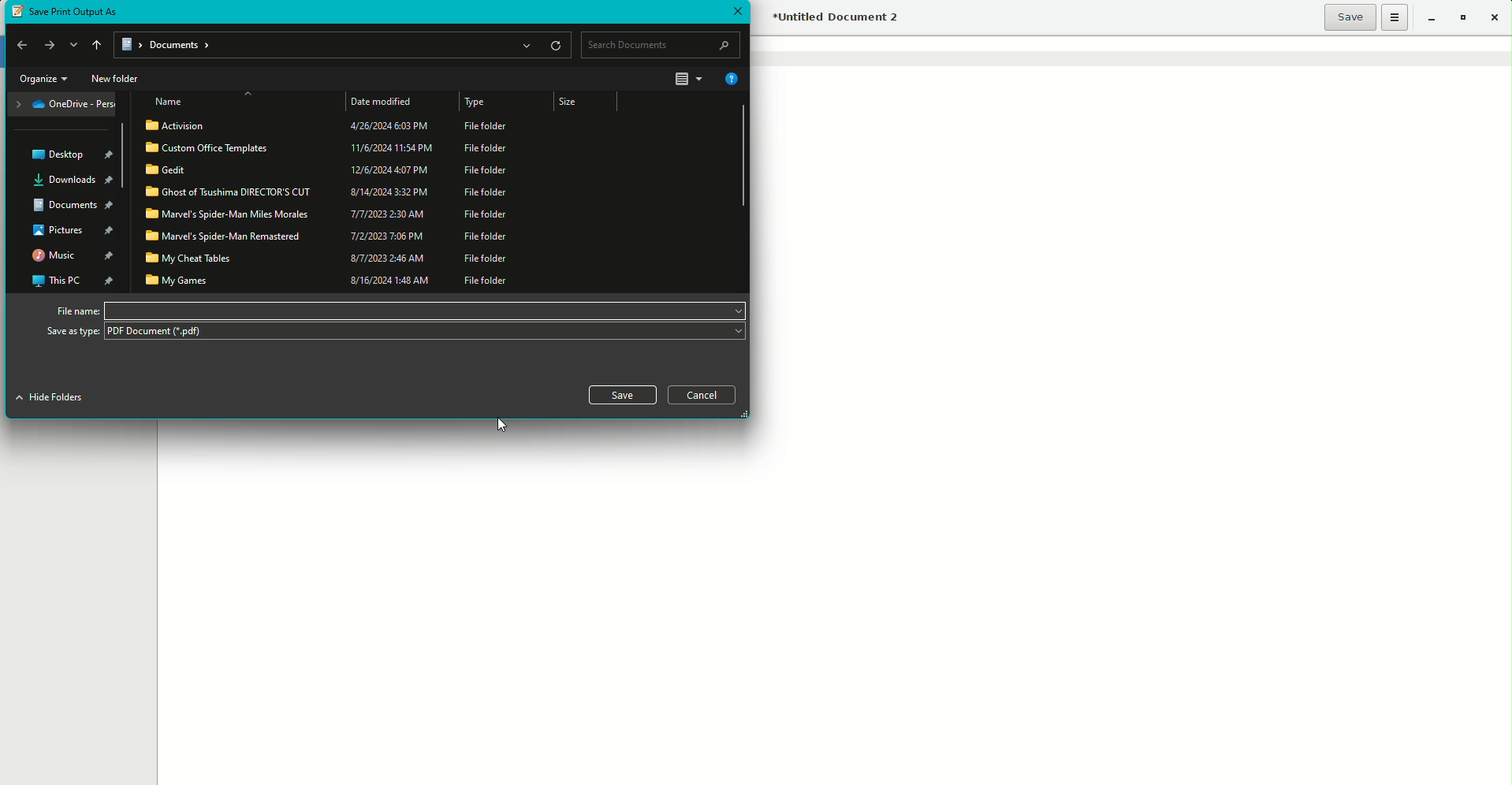  I want to click on Activision, so click(329, 126).